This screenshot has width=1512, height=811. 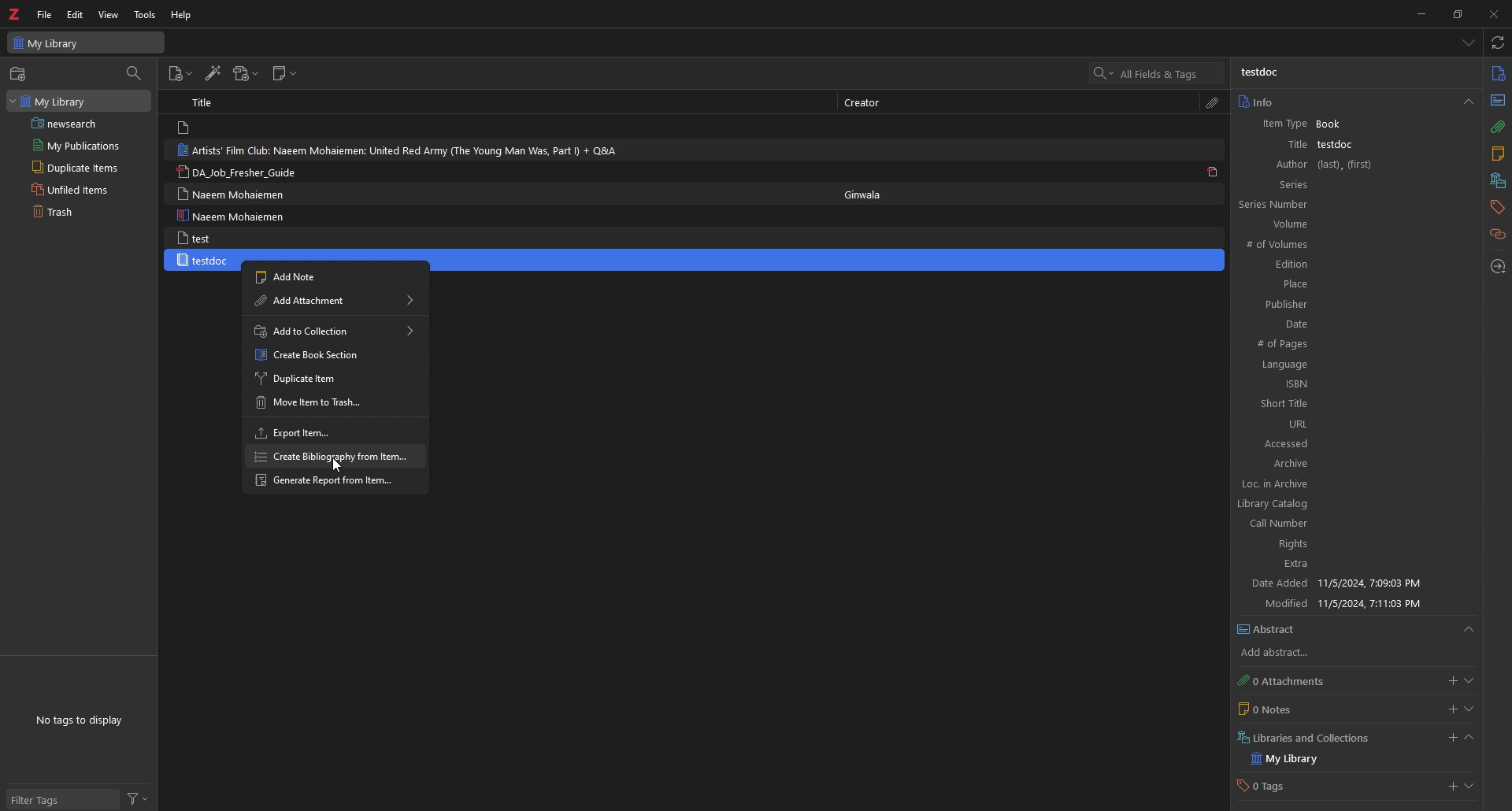 I want to click on Author (last),(first), so click(x=1353, y=165).